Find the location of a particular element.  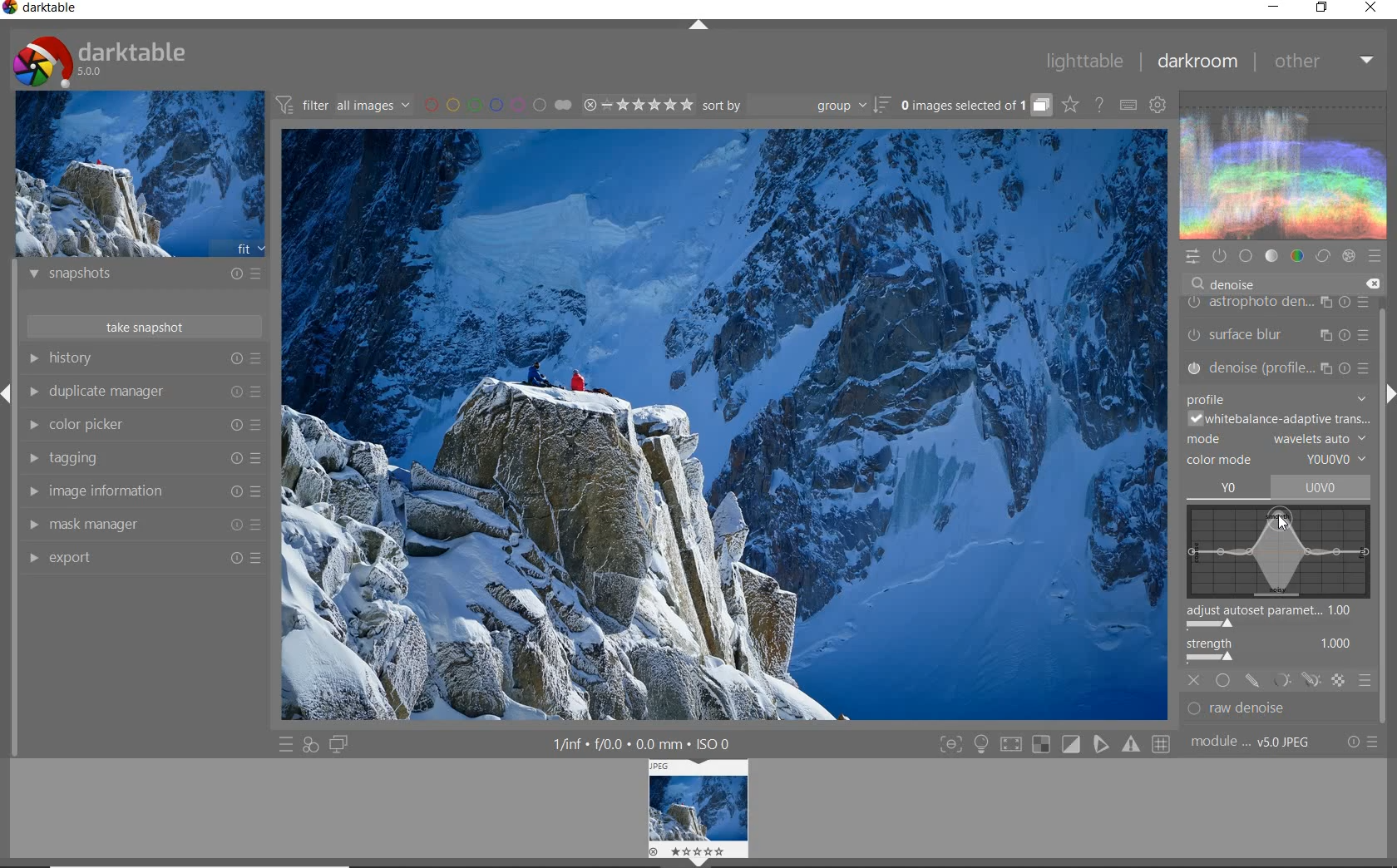

close is located at coordinates (1371, 8).